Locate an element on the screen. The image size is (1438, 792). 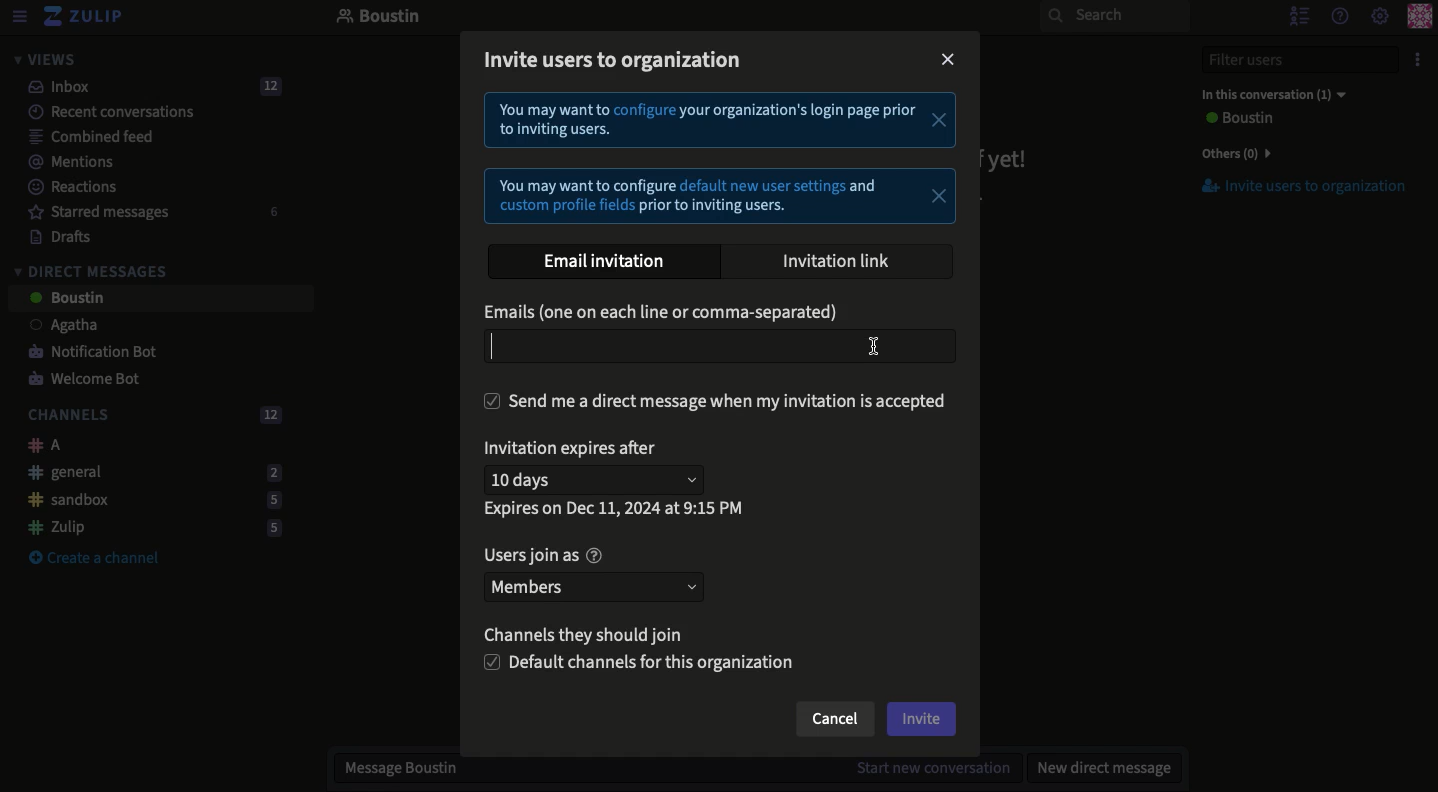
General  is located at coordinates (149, 471).